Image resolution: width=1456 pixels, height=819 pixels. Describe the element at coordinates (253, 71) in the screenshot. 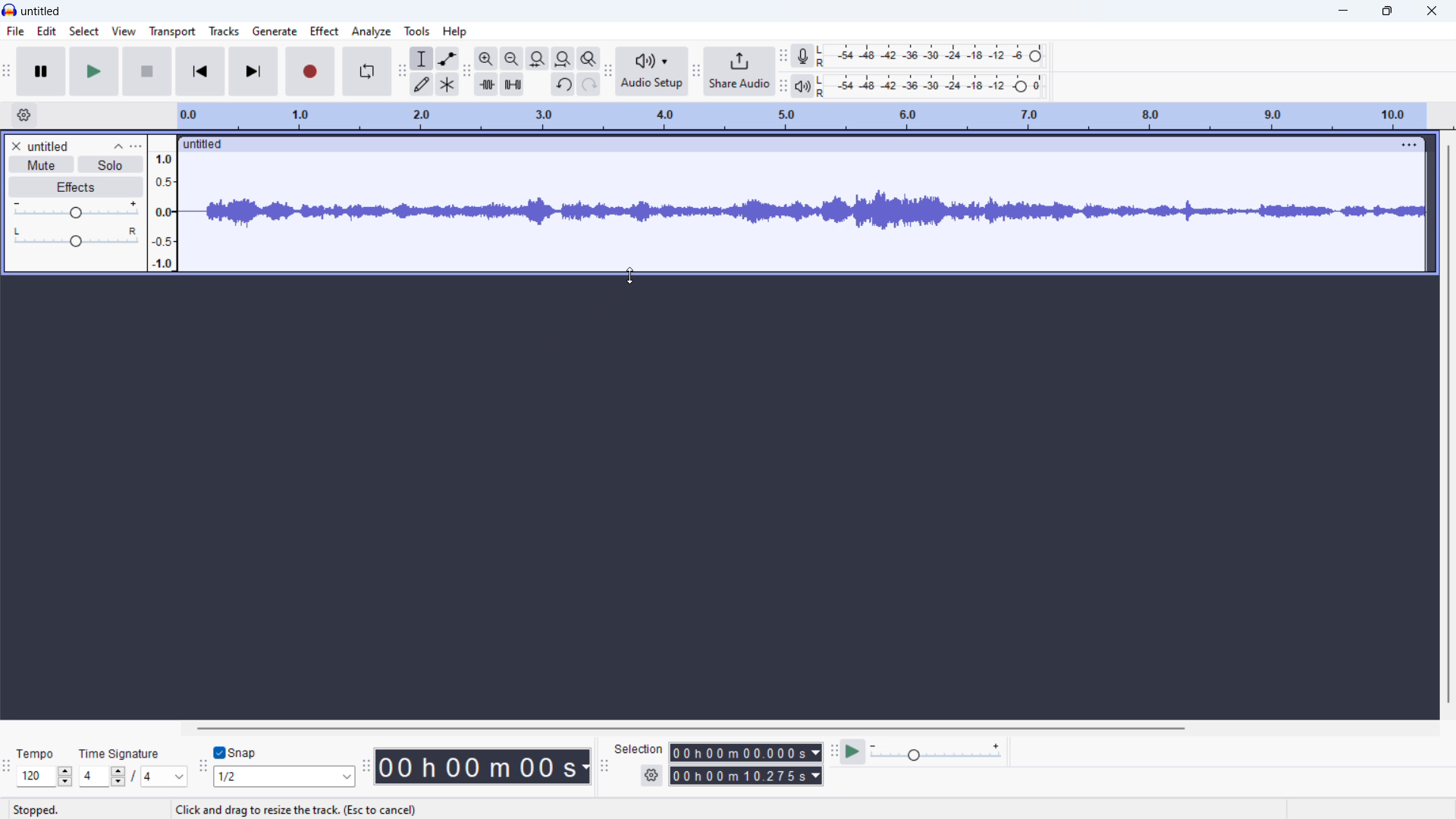

I see `skip to end` at that location.